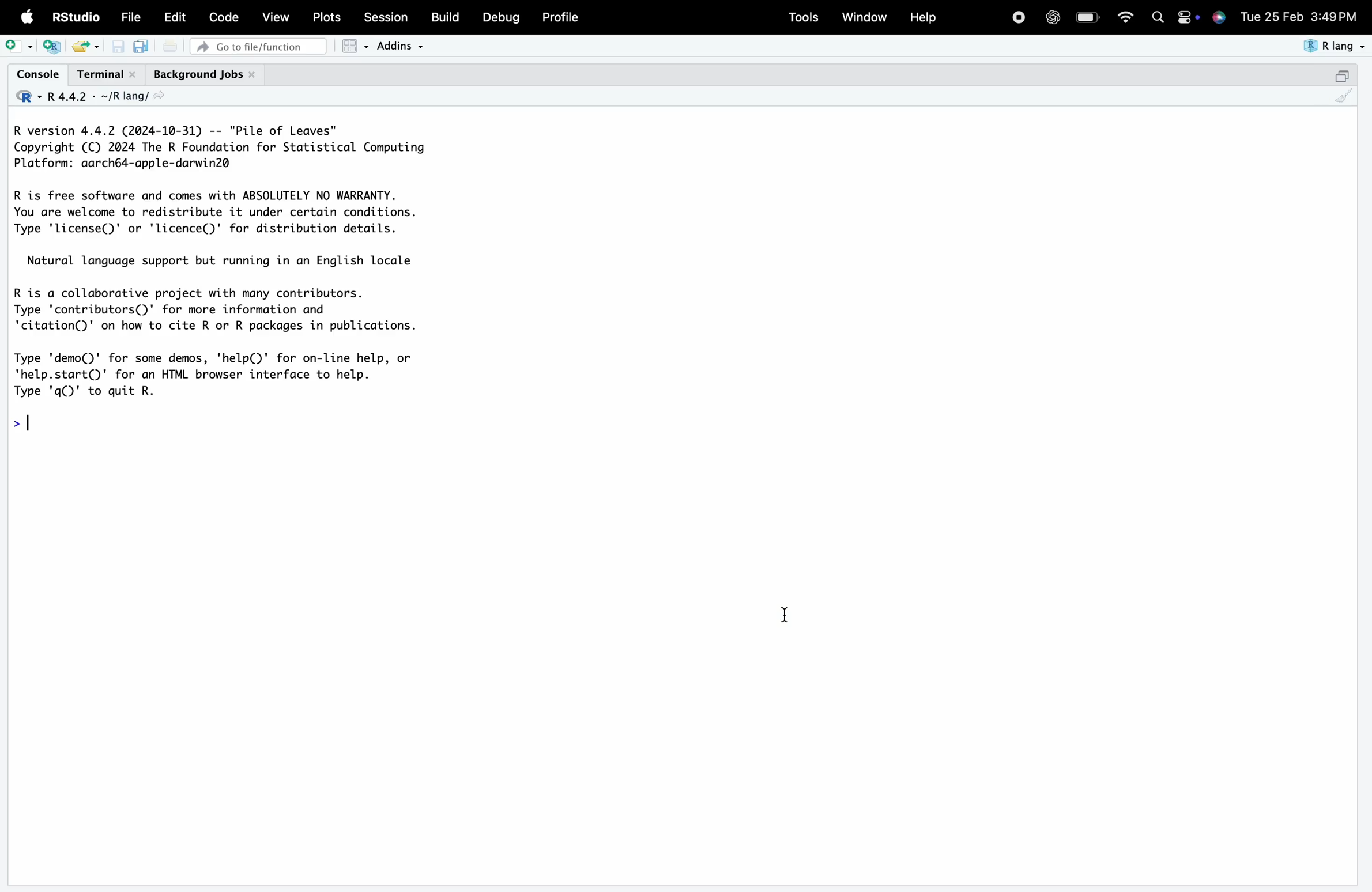 The height and width of the screenshot is (892, 1372). What do you see at coordinates (52, 47) in the screenshot?
I see `create a project` at bounding box center [52, 47].